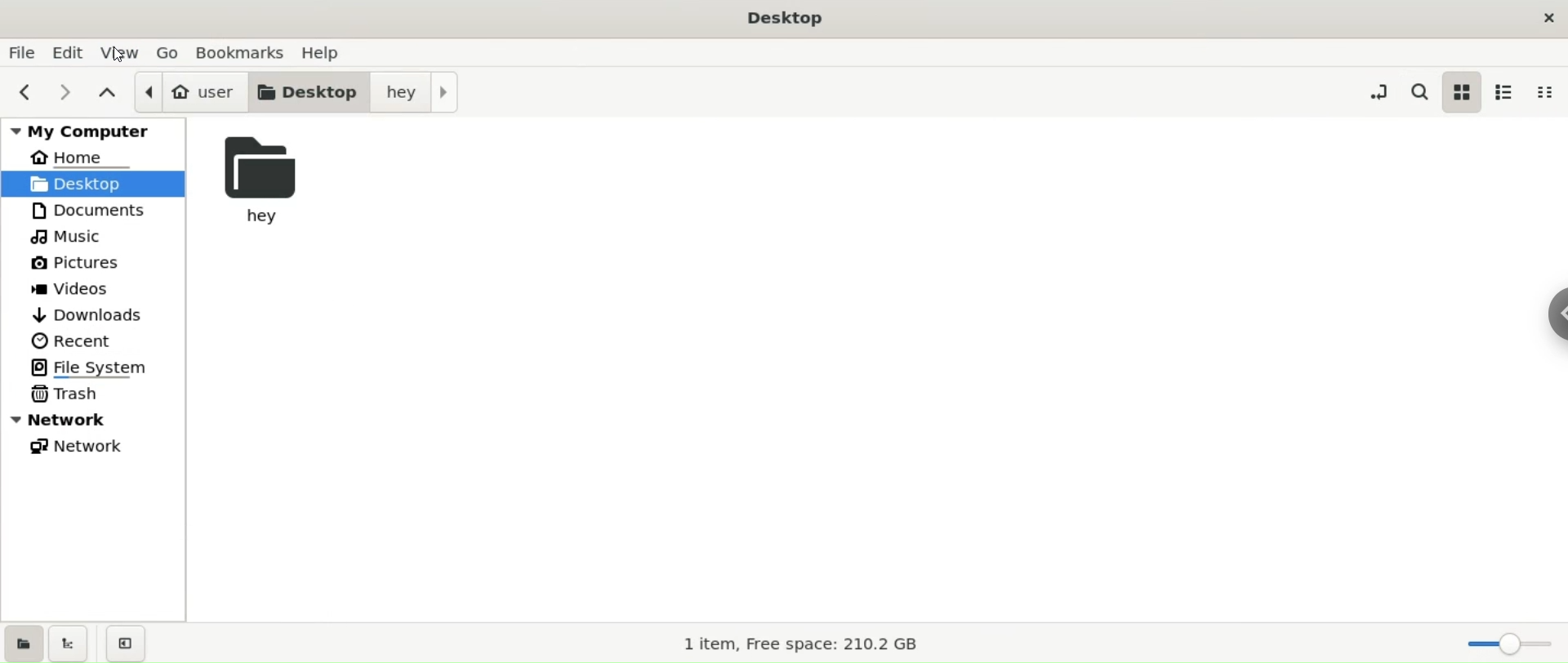 The width and height of the screenshot is (1568, 663). I want to click on edit, so click(69, 52).